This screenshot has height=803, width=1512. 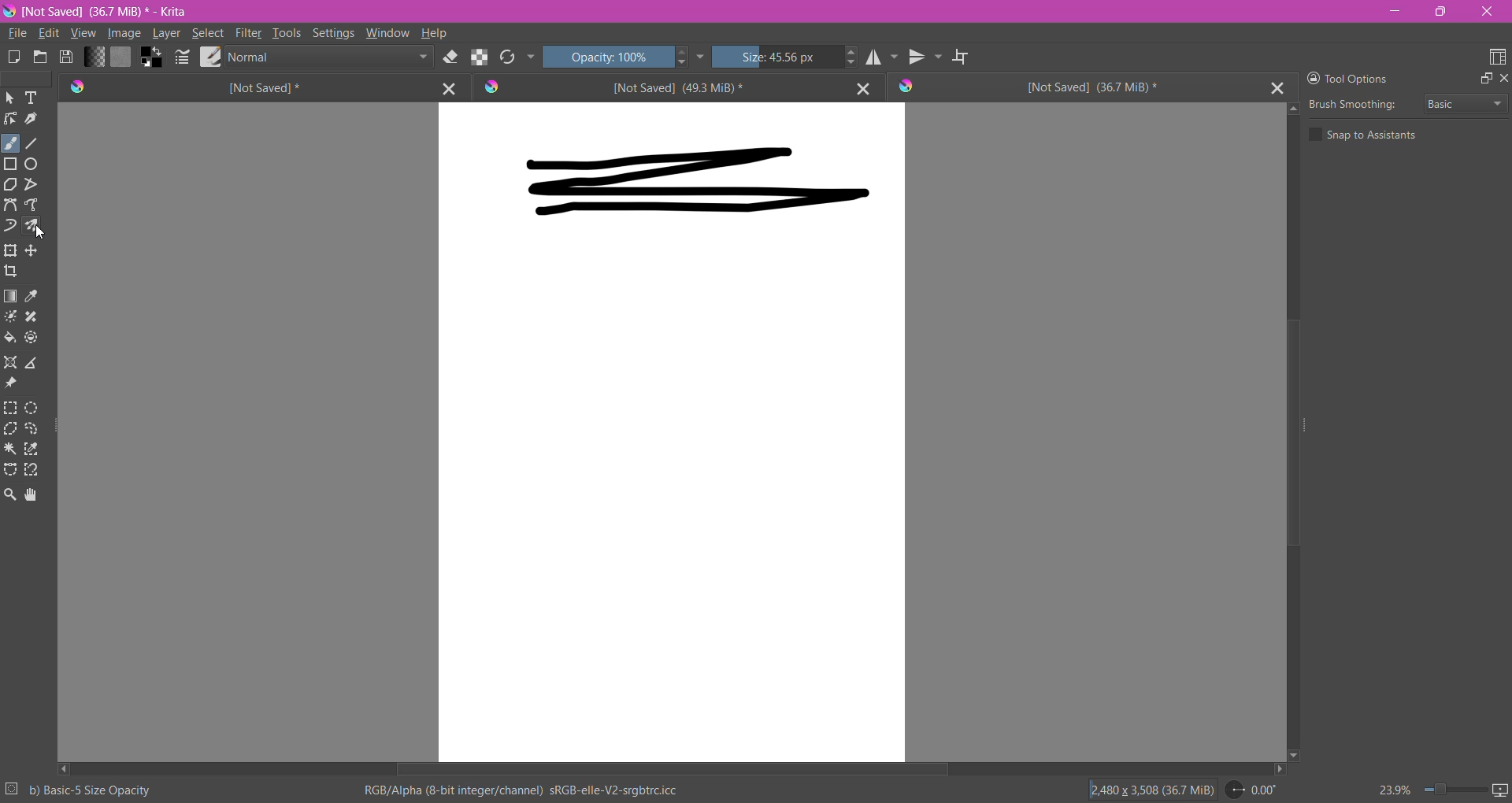 What do you see at coordinates (13, 59) in the screenshot?
I see `Create New Document` at bounding box center [13, 59].